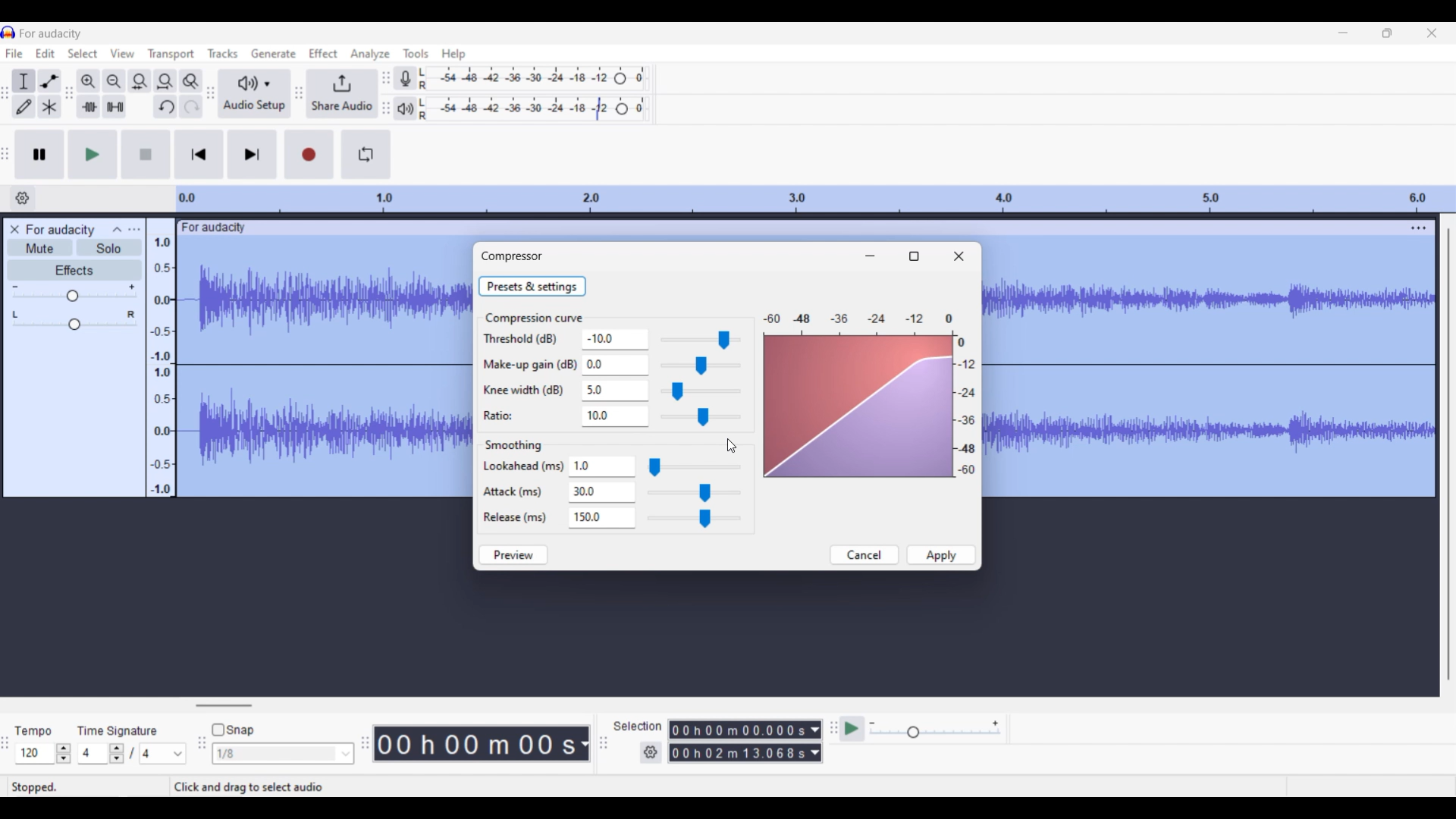 Image resolution: width=1456 pixels, height=819 pixels. Describe the element at coordinates (122, 53) in the screenshot. I see `View` at that location.